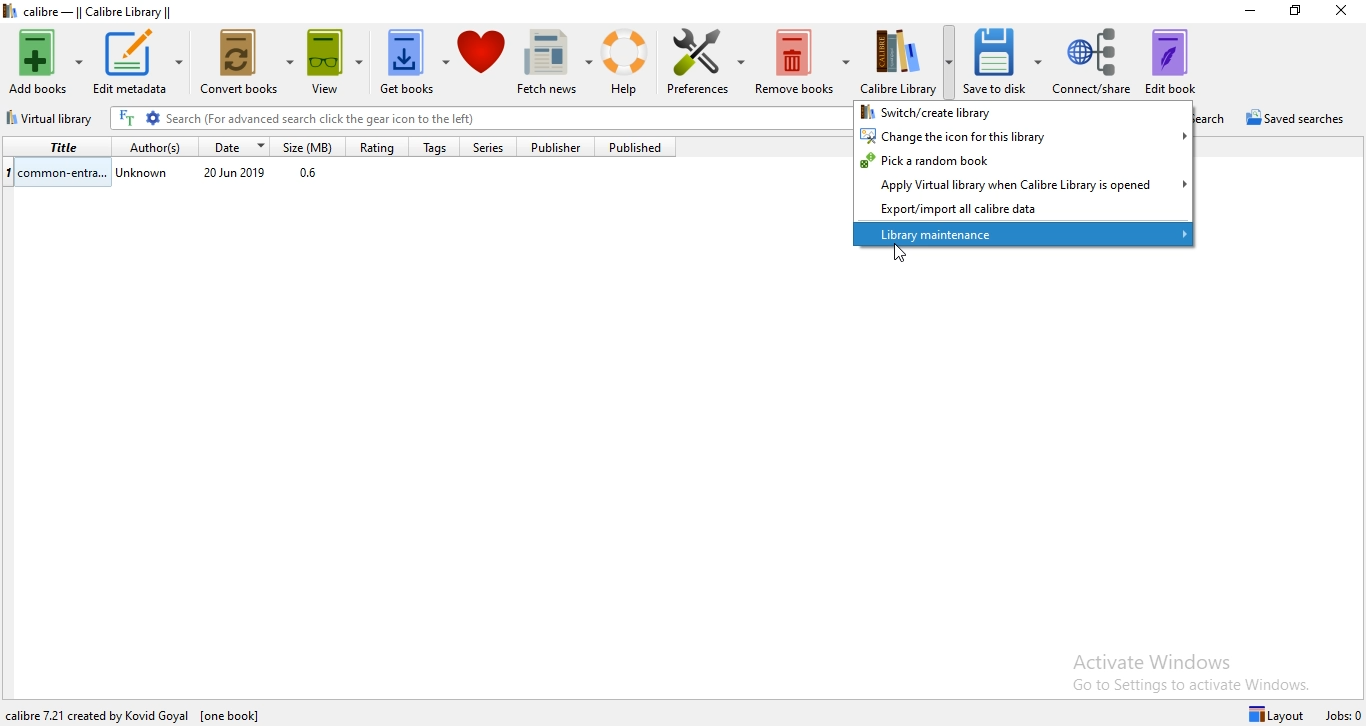 This screenshot has width=1366, height=726. What do you see at coordinates (495, 148) in the screenshot?
I see `Series` at bounding box center [495, 148].